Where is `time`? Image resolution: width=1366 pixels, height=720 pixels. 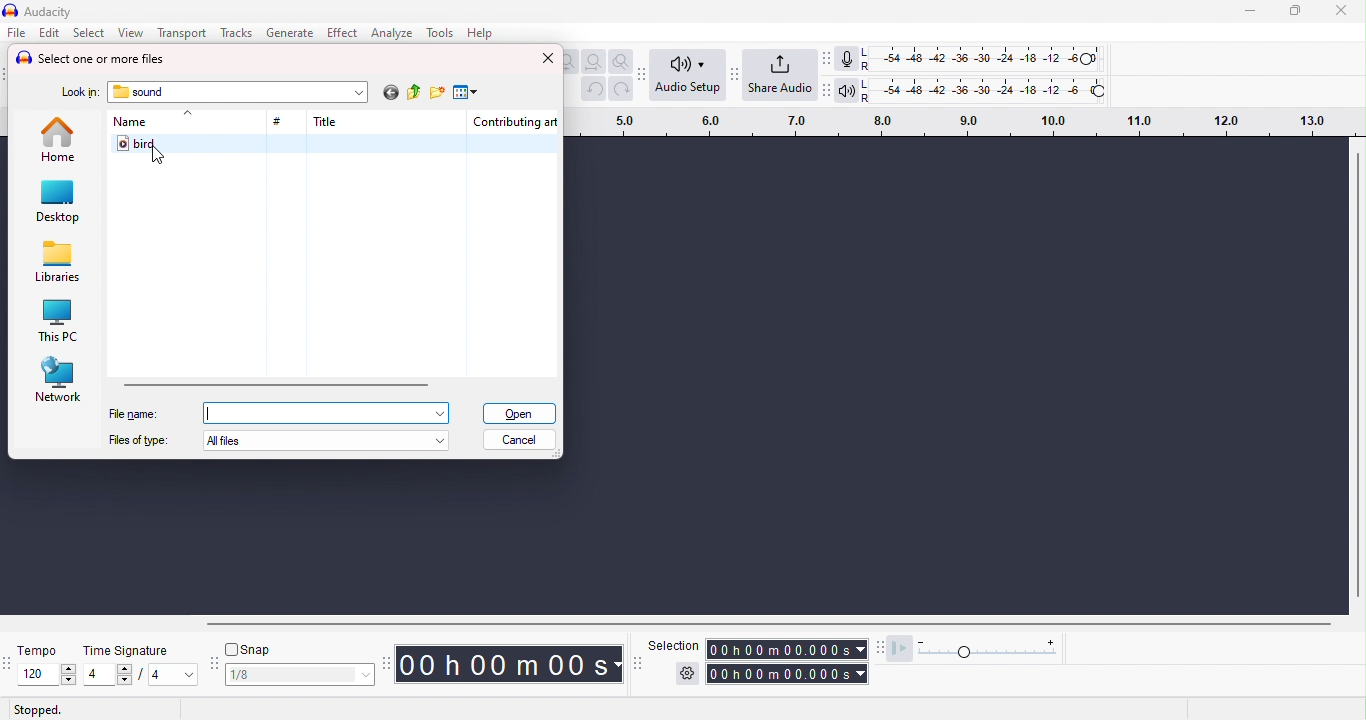 time is located at coordinates (511, 663).